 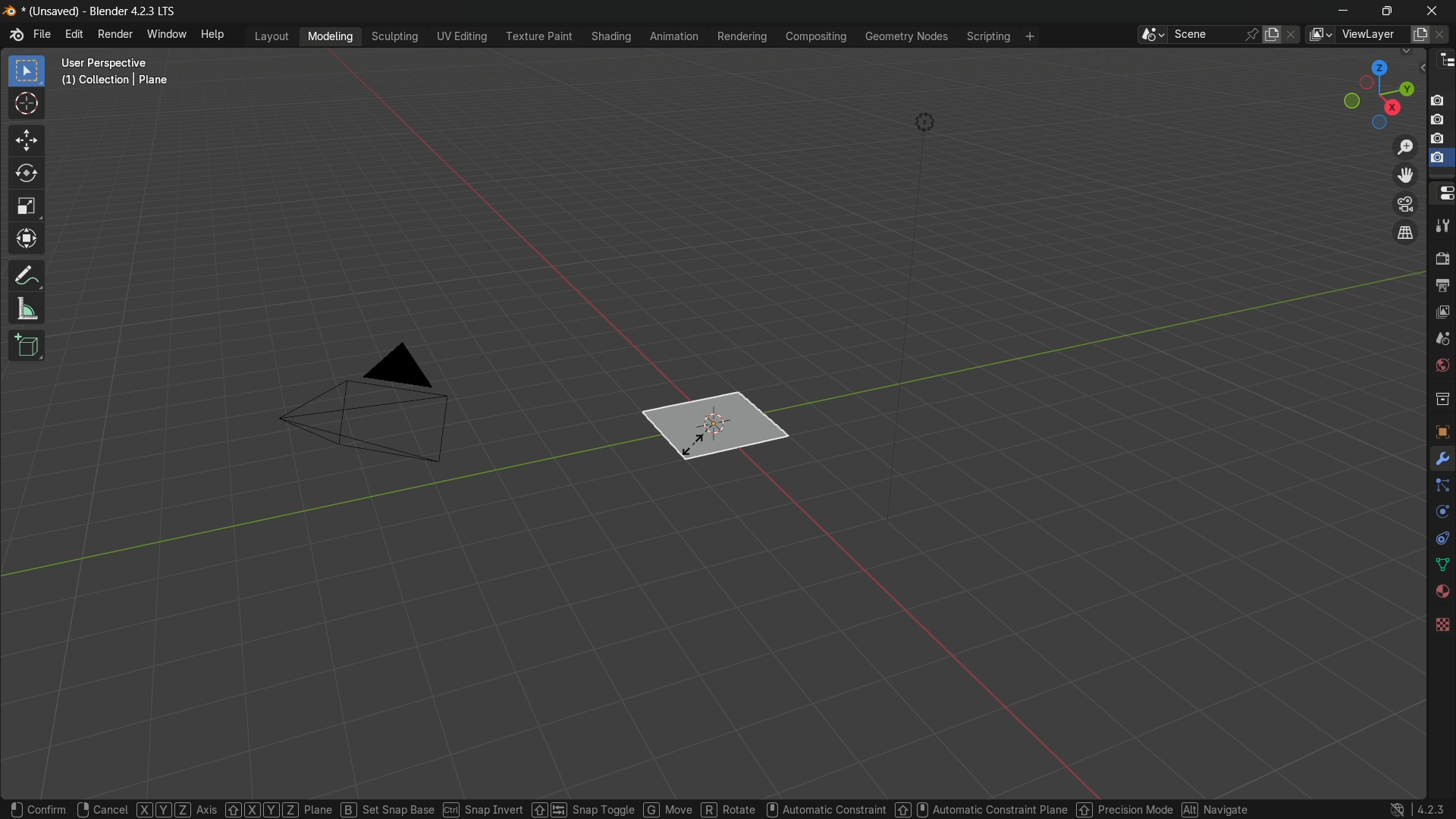 What do you see at coordinates (328, 806) in the screenshot?
I see `plane B` at bounding box center [328, 806].